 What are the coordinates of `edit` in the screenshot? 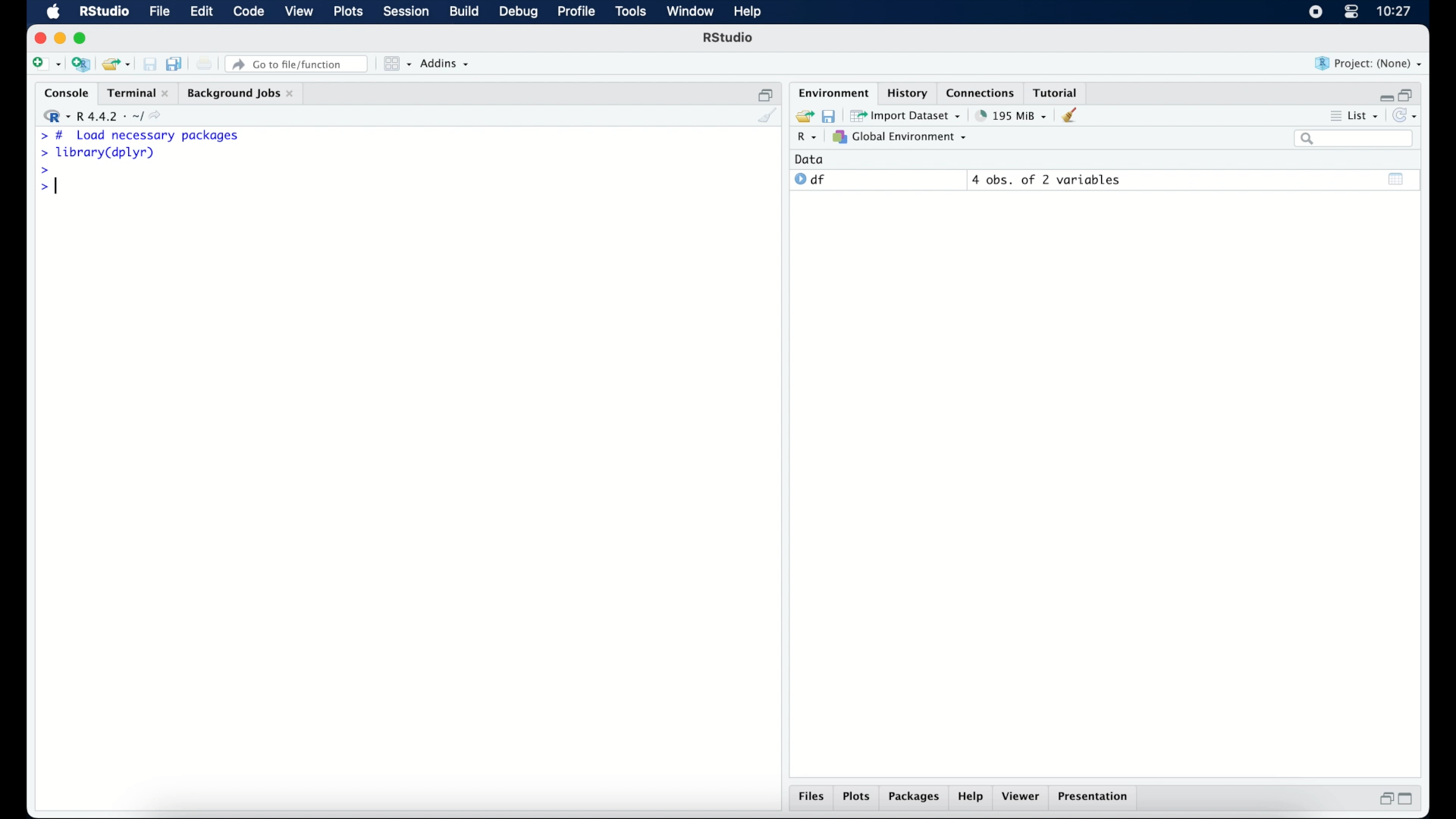 It's located at (200, 12).